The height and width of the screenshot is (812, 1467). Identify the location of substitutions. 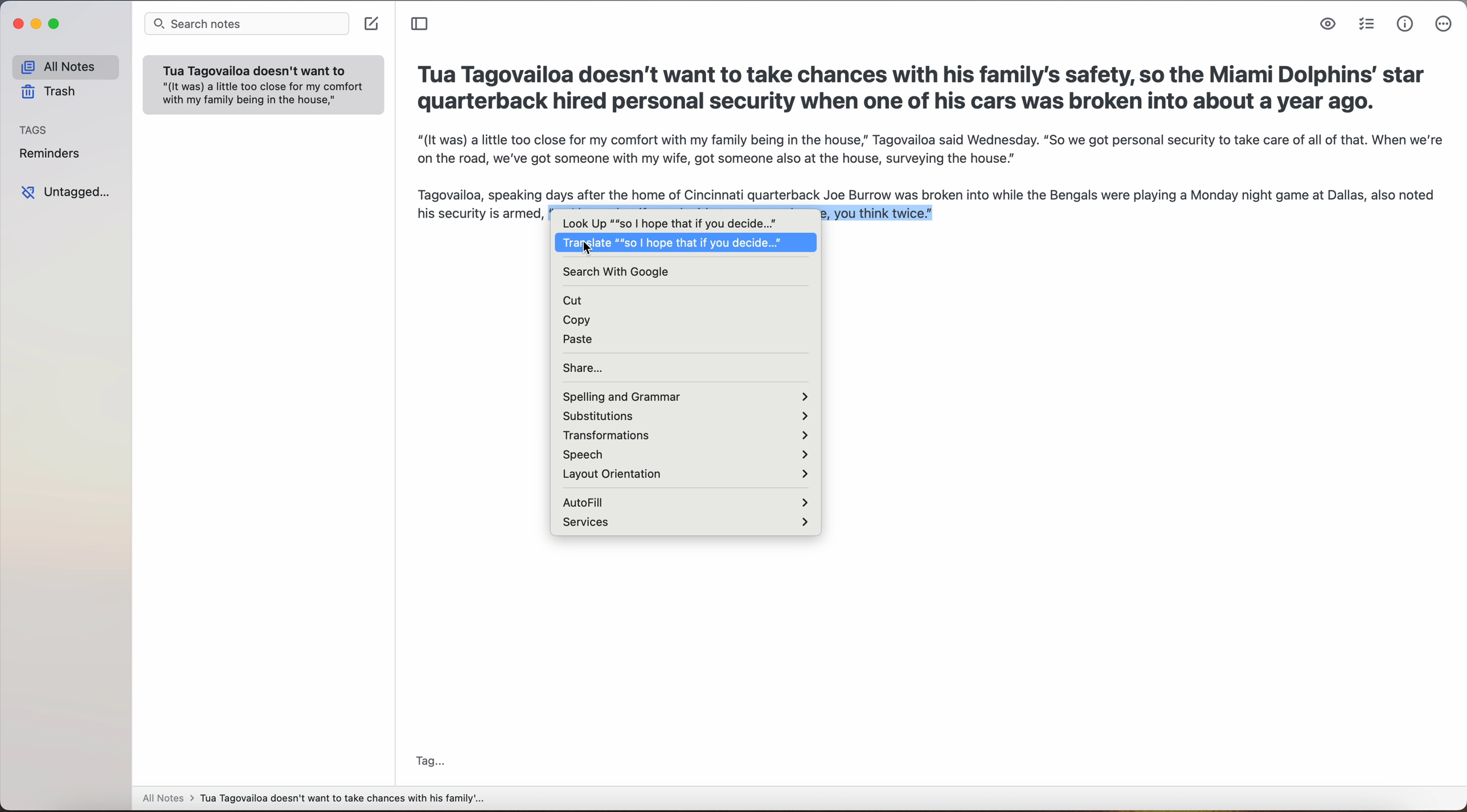
(684, 417).